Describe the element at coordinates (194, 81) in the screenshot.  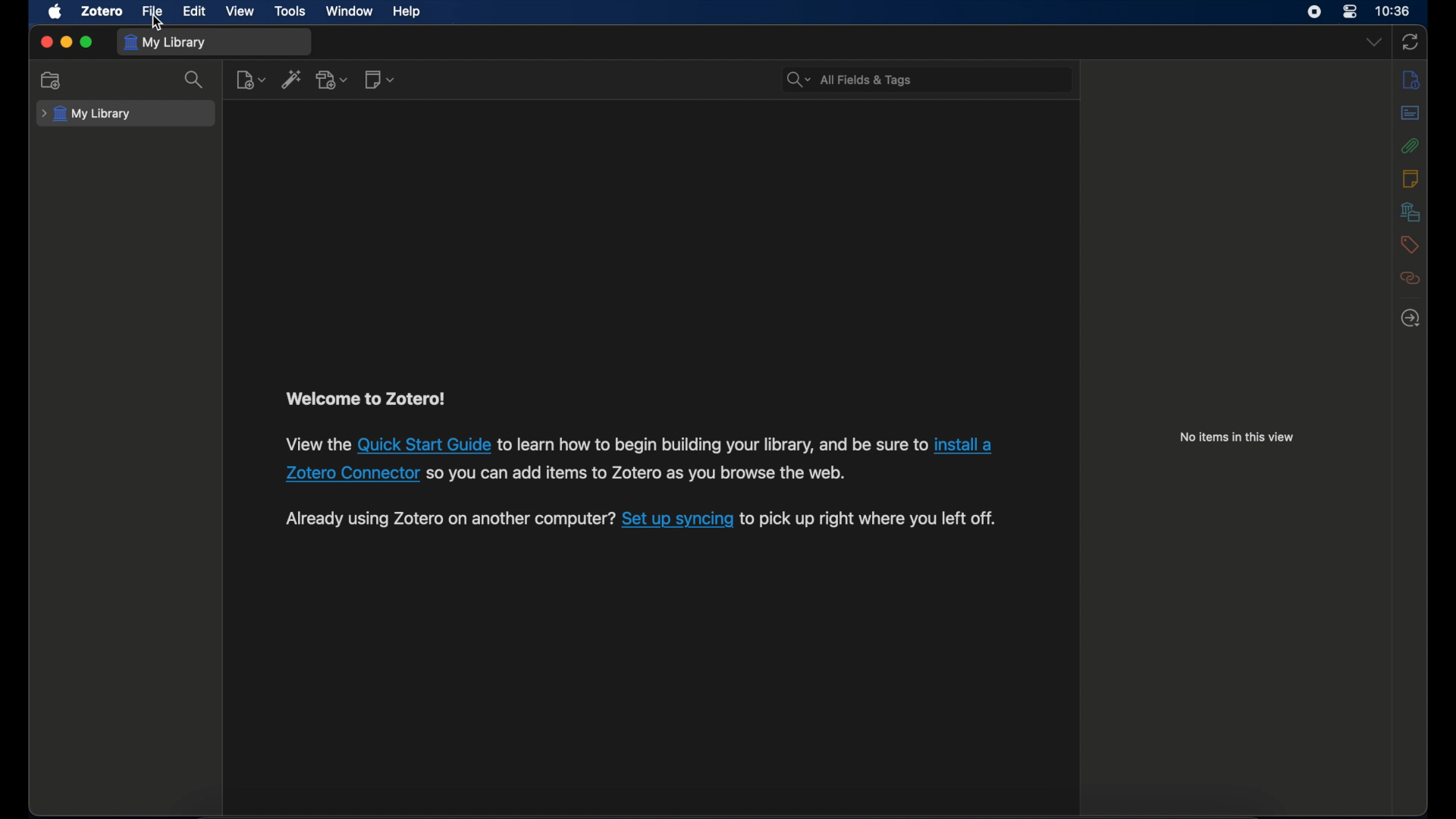
I see `search` at that location.